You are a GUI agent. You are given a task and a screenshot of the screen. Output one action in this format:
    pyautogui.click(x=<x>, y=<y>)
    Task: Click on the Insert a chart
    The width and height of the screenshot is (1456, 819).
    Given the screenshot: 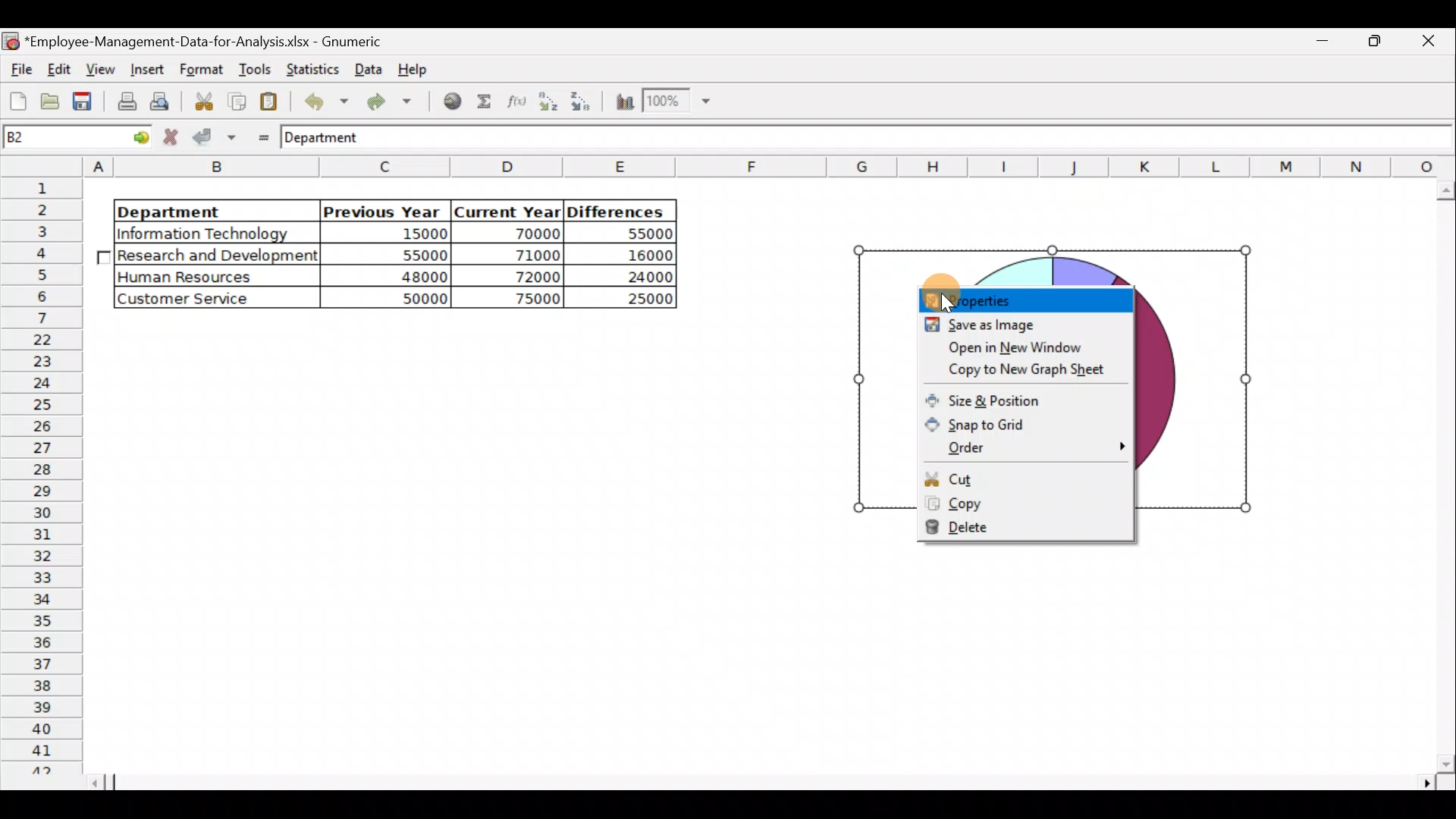 What is the action you would take?
    pyautogui.click(x=623, y=102)
    